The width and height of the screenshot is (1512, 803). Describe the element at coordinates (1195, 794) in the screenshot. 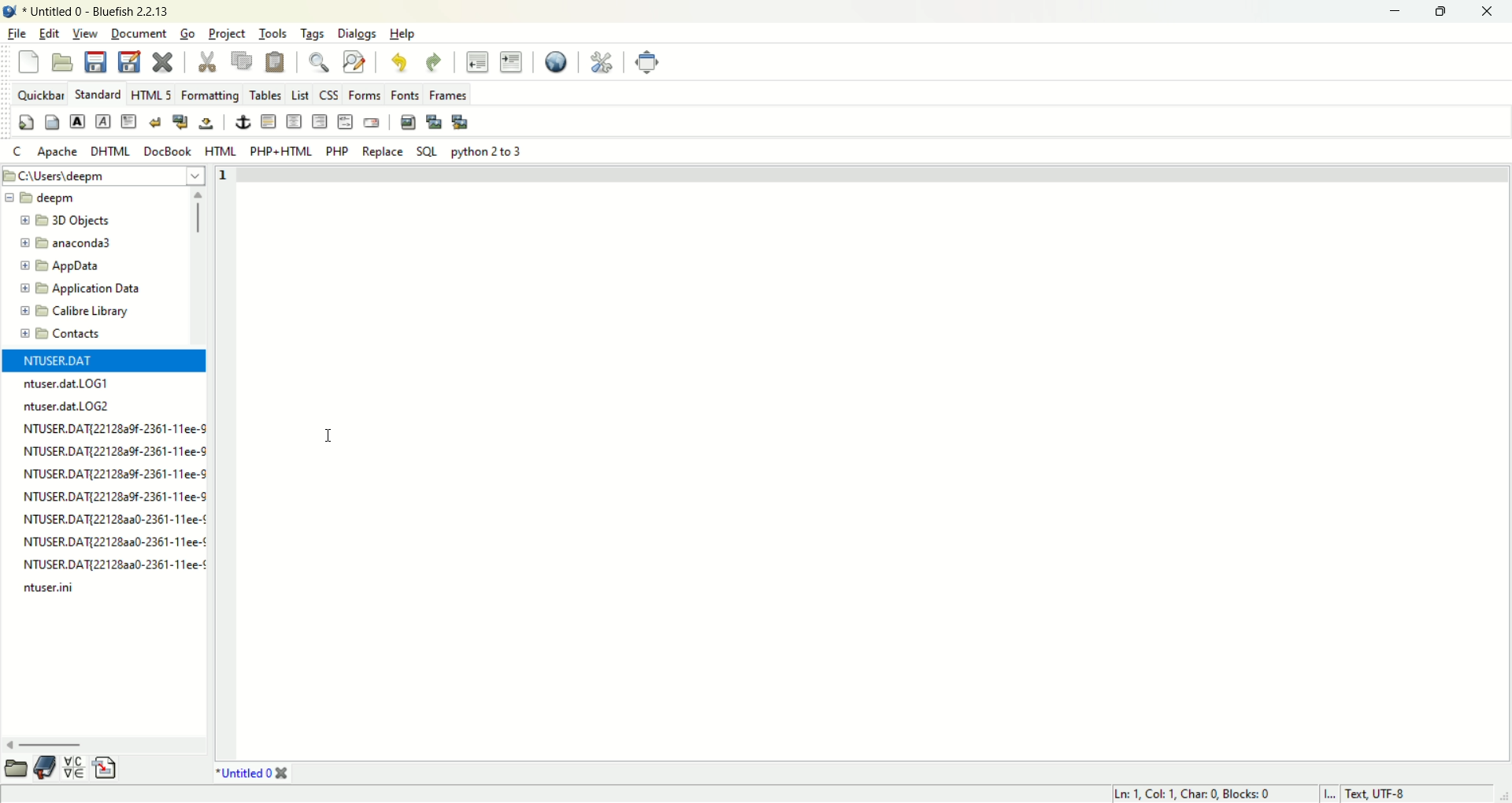

I see `cursor position` at that location.